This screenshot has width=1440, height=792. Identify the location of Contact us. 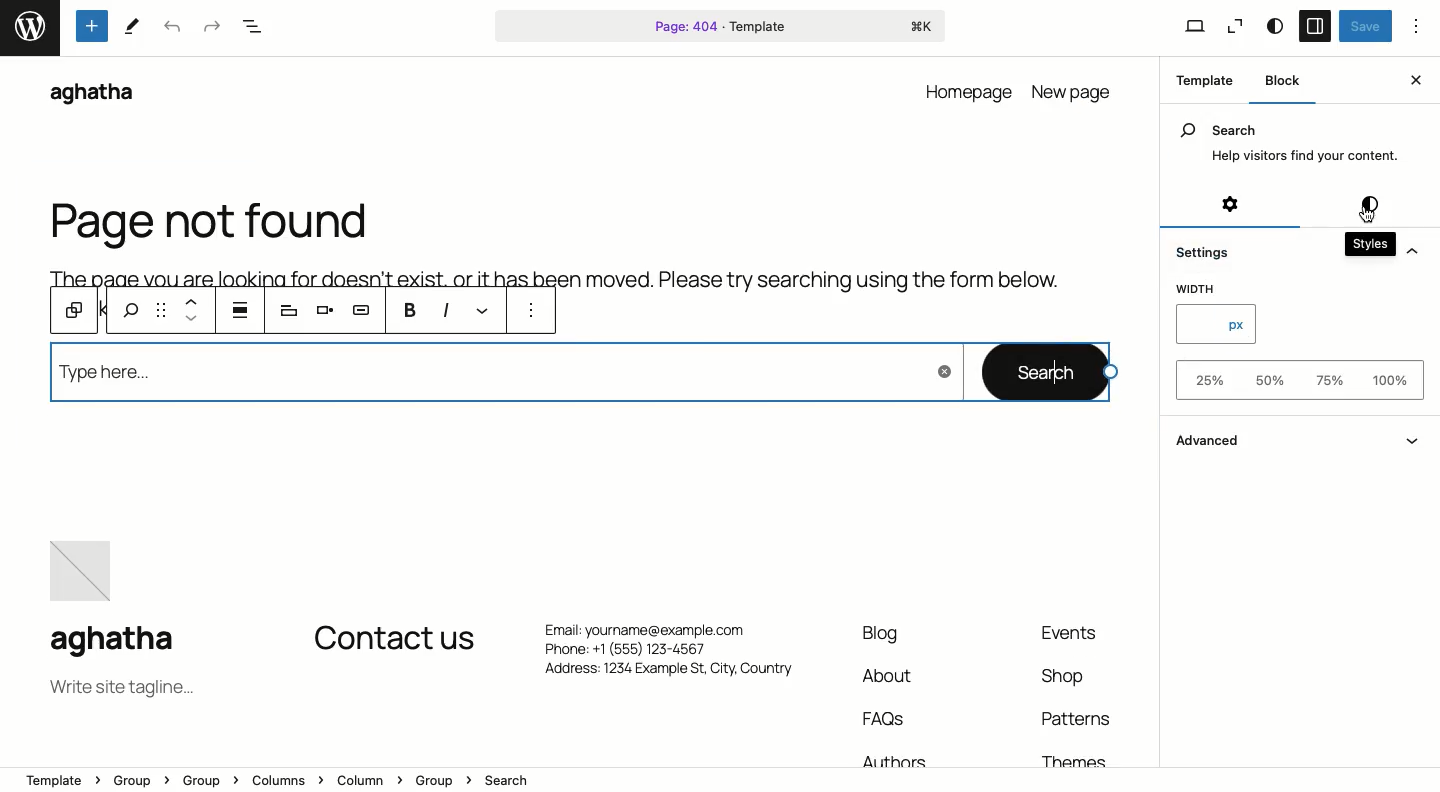
(394, 640).